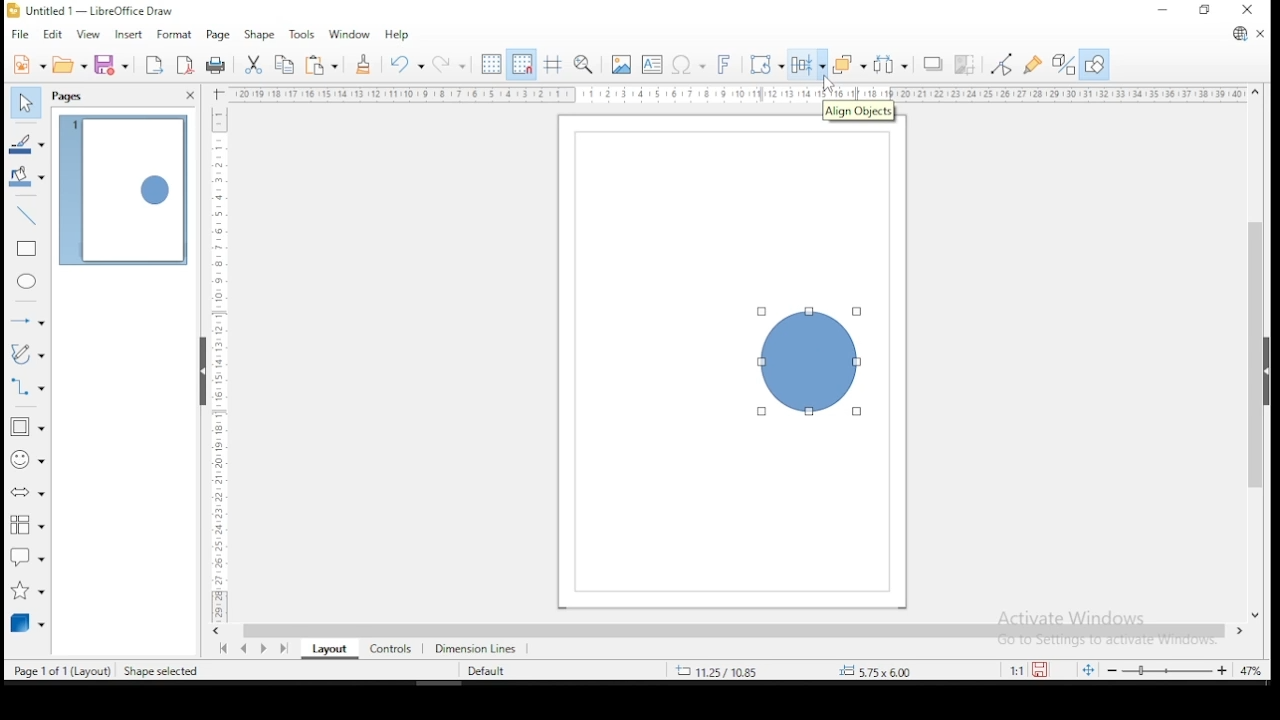 This screenshot has width=1280, height=720. I want to click on zoom slider, so click(1166, 669).